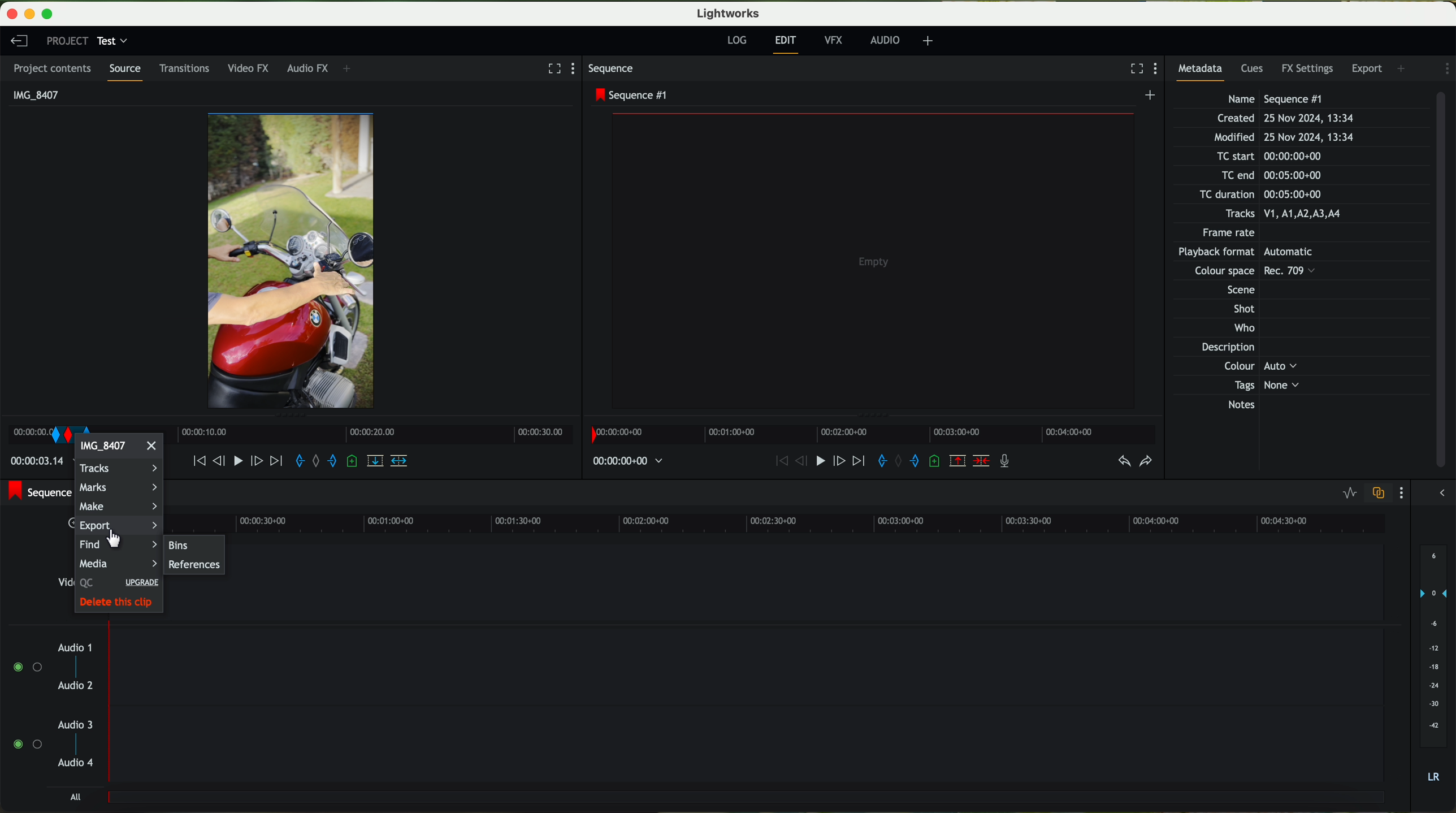  Describe the element at coordinates (1263, 385) in the screenshot. I see `Tags None` at that location.